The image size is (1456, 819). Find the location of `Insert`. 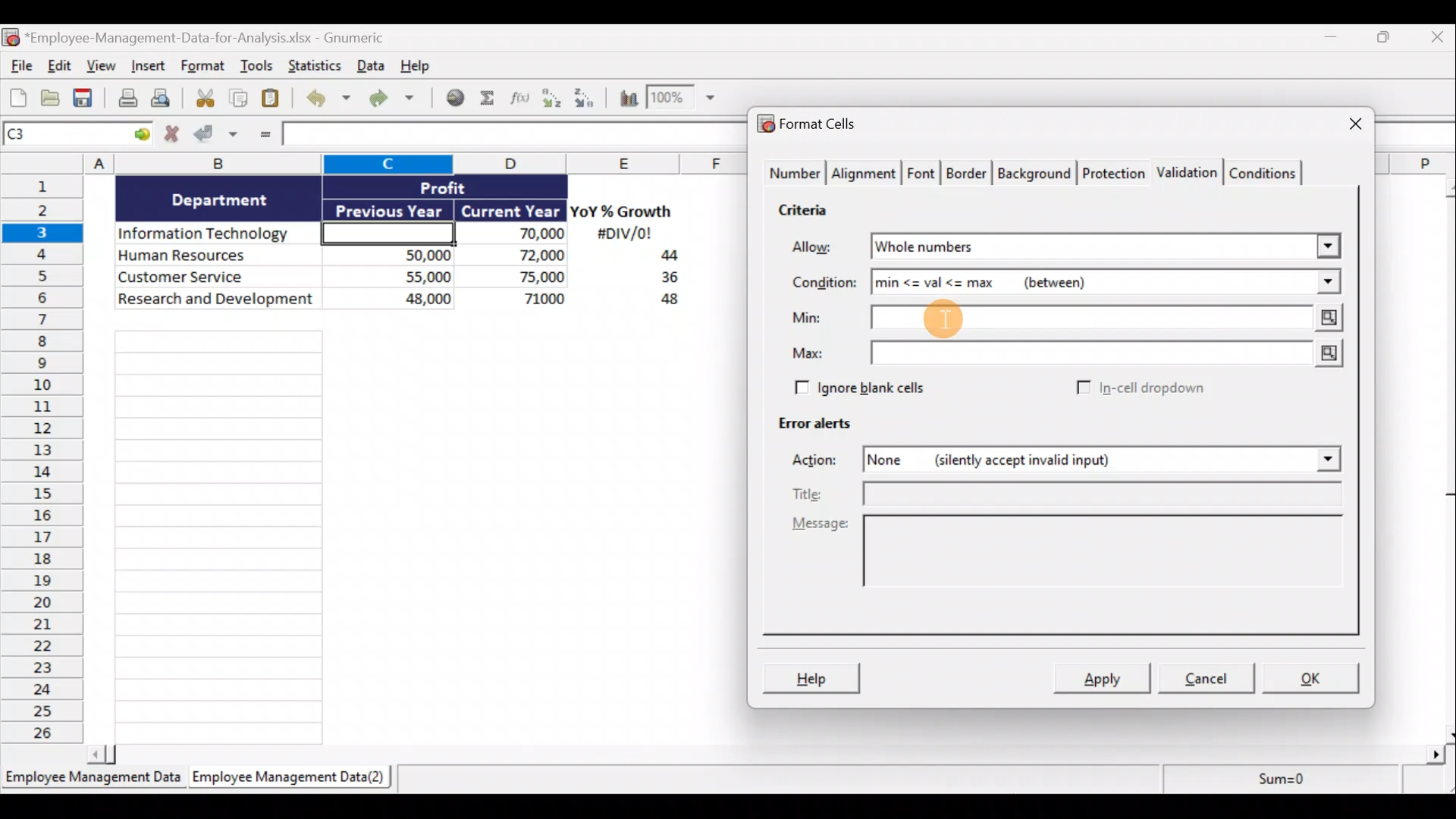

Insert is located at coordinates (151, 69).